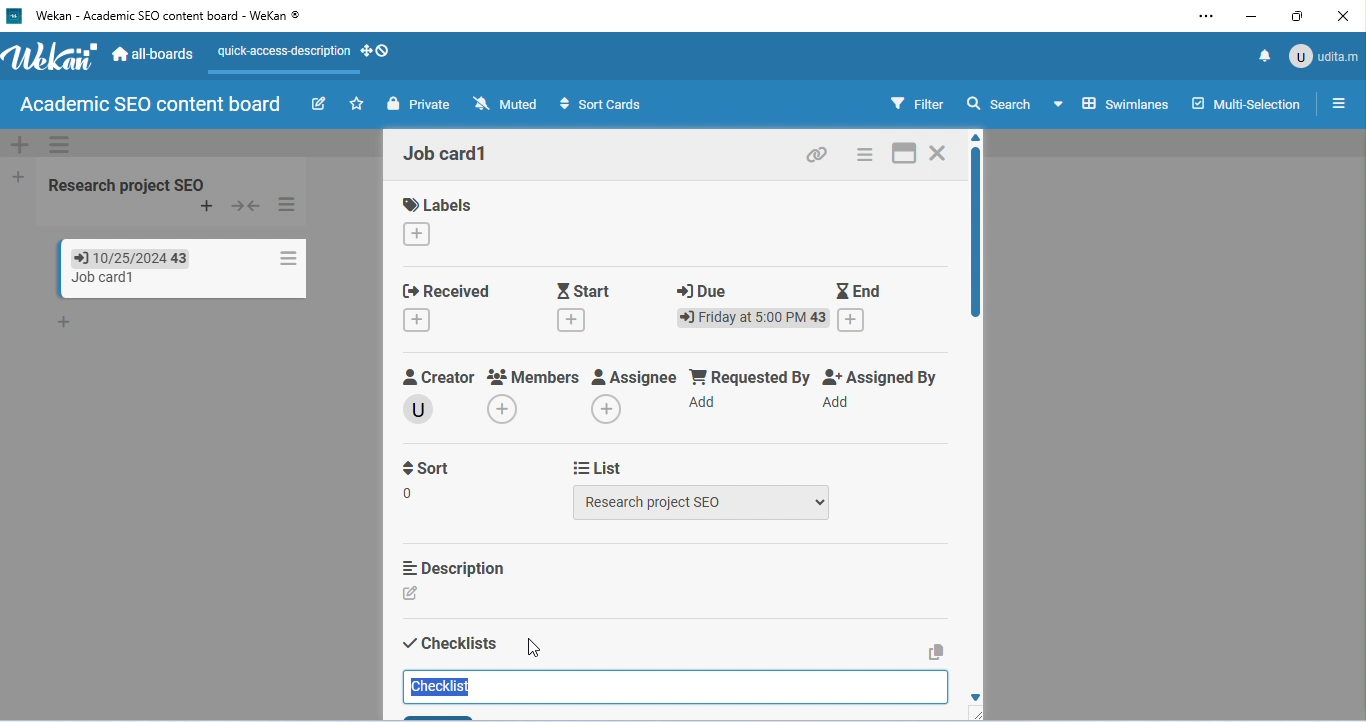 The width and height of the screenshot is (1366, 722). I want to click on maximize card, so click(904, 154).